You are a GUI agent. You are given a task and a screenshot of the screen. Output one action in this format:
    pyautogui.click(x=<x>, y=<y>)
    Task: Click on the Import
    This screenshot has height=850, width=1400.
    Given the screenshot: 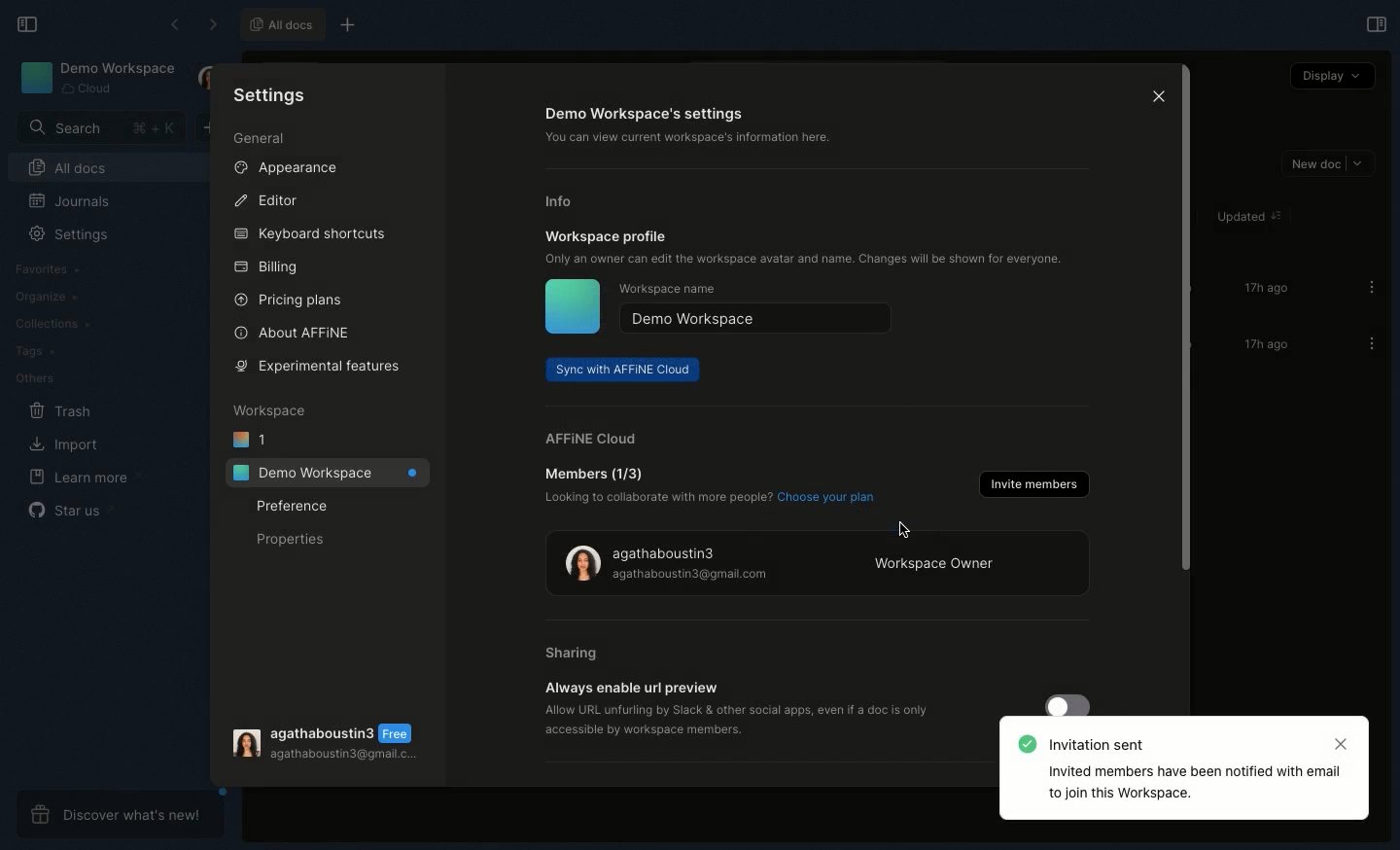 What is the action you would take?
    pyautogui.click(x=60, y=443)
    